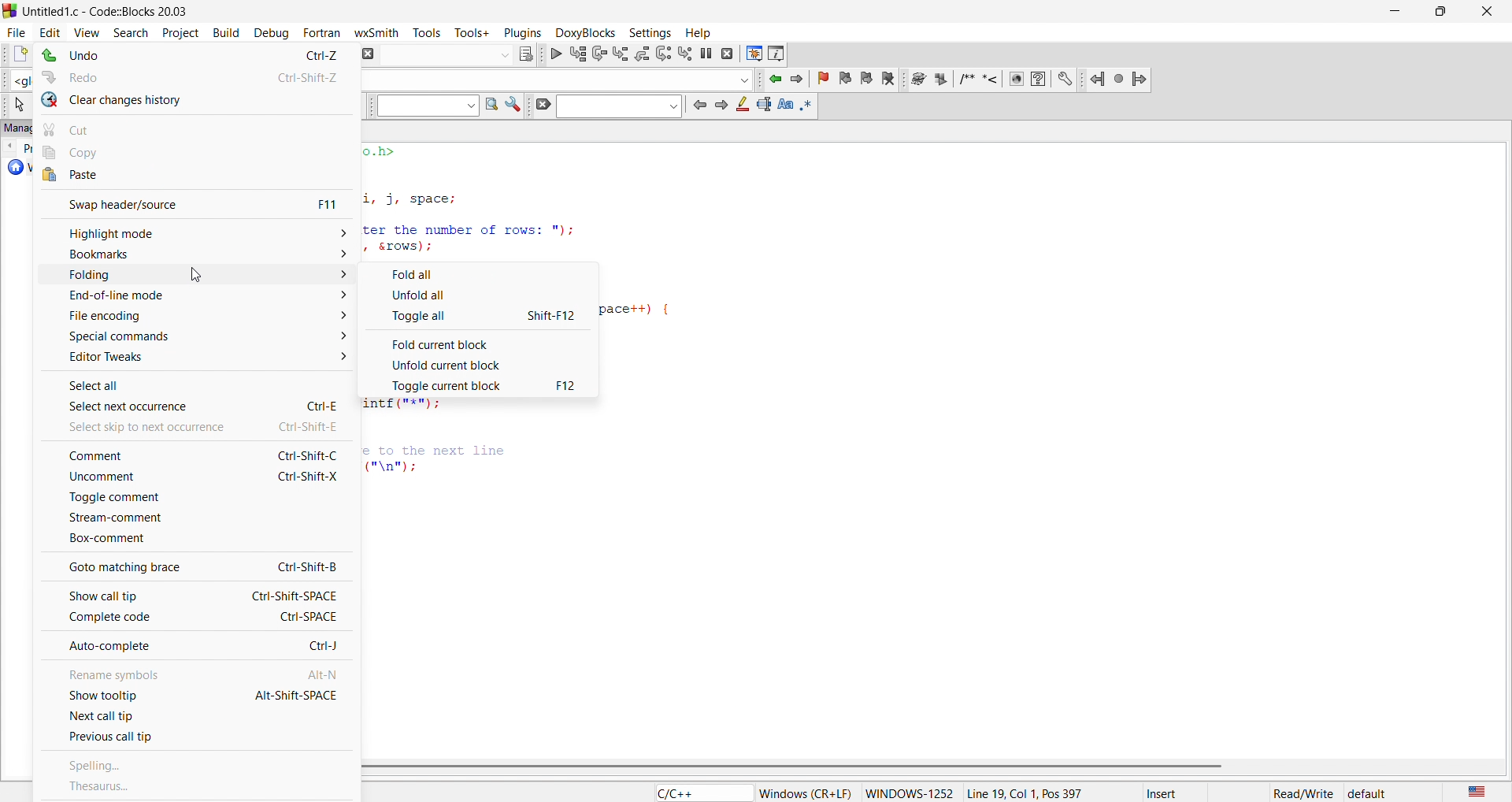 The height and width of the screenshot is (802, 1512). I want to click on cut, so click(198, 127).